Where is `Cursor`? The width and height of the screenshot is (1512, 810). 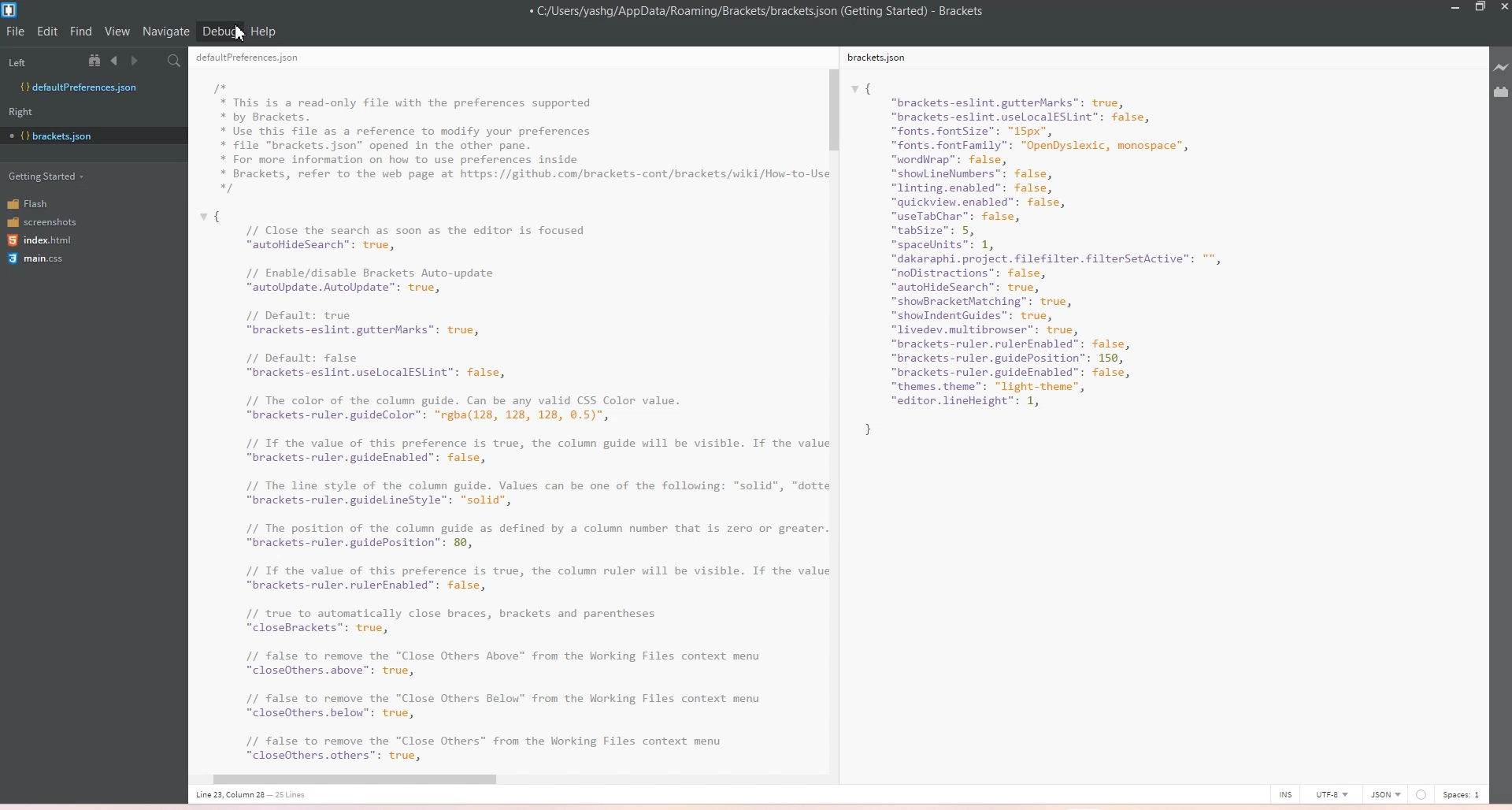 Cursor is located at coordinates (246, 37).